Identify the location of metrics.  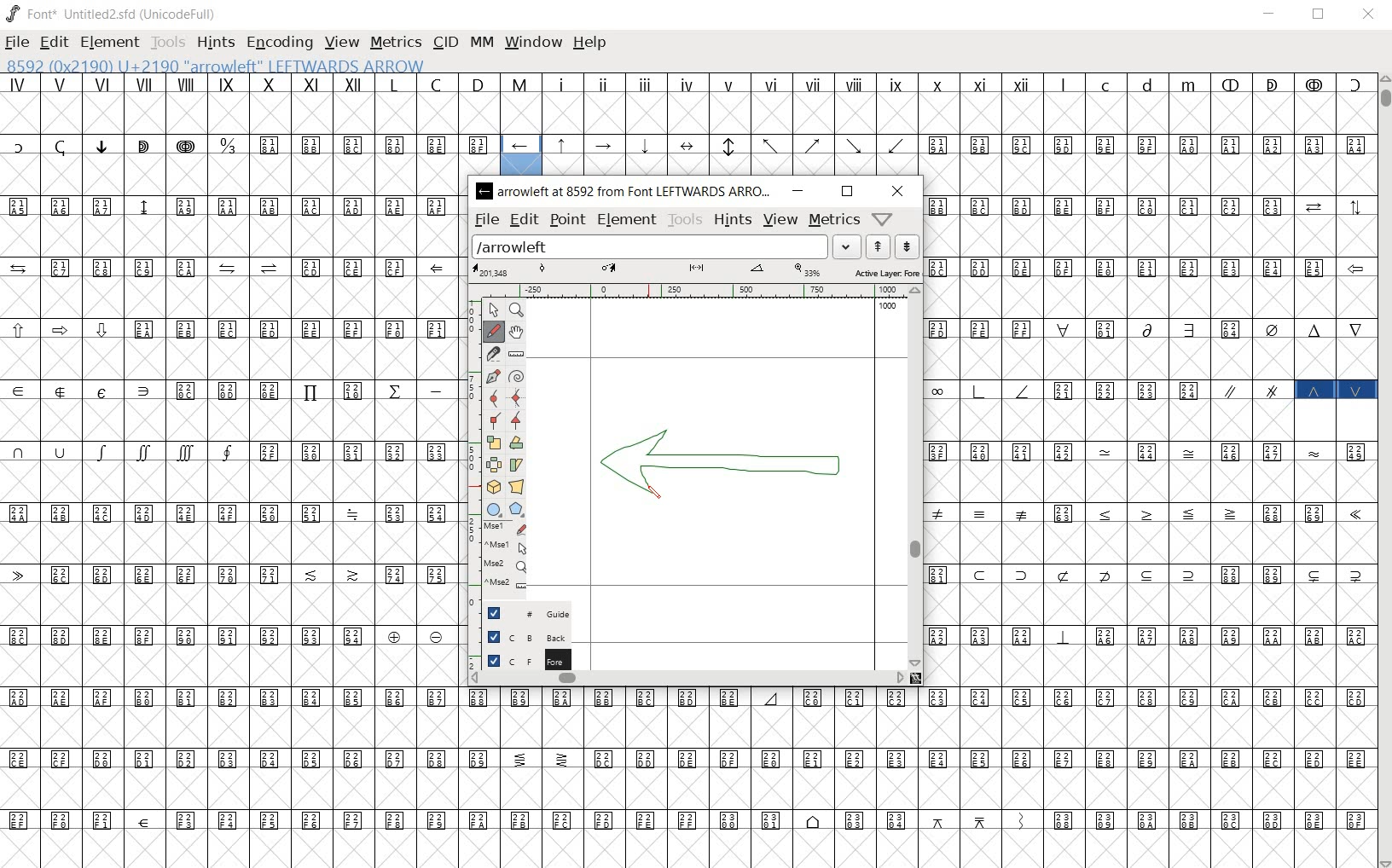
(395, 43).